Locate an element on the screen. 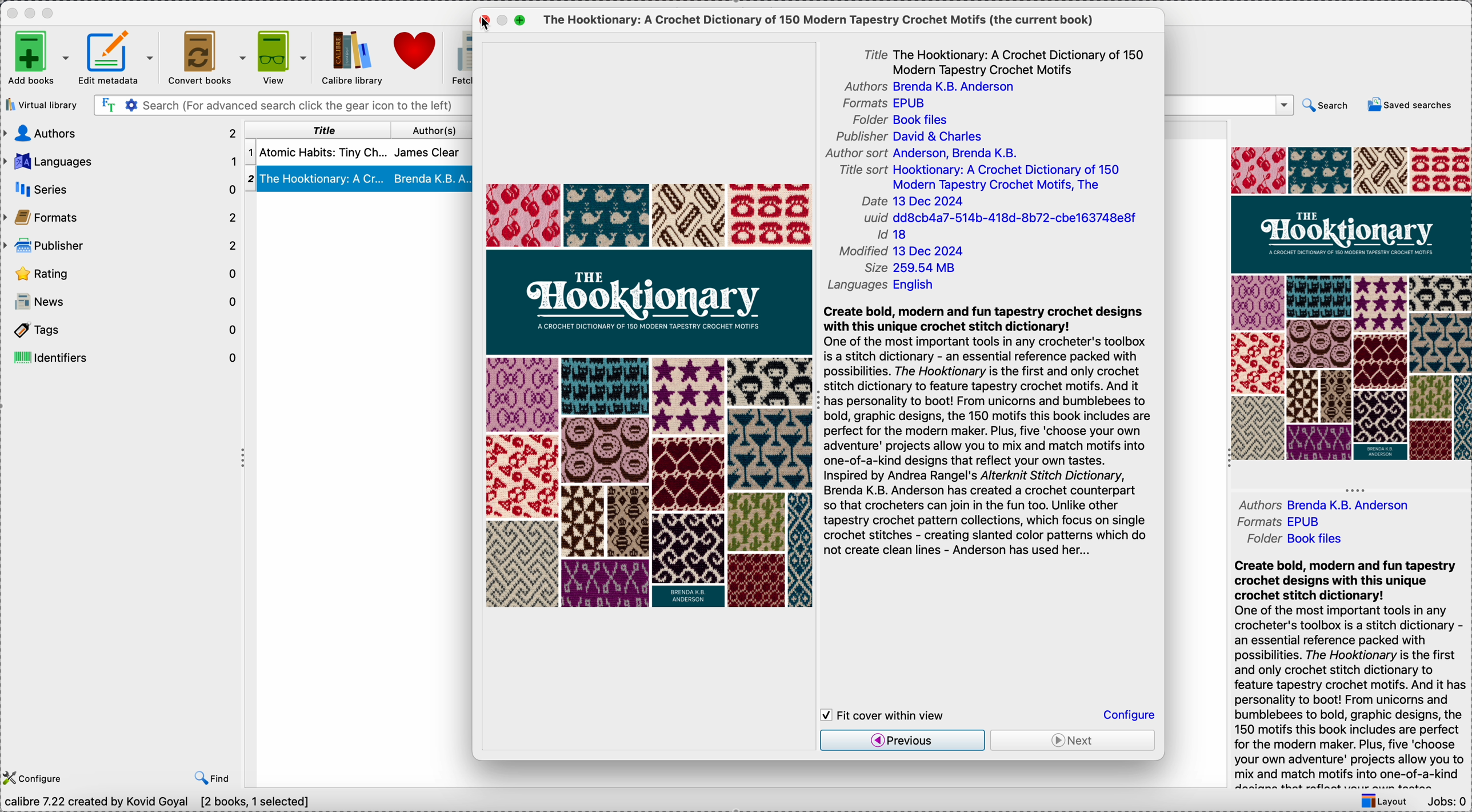 The height and width of the screenshot is (812, 1472). book cover preview is located at coordinates (652, 397).